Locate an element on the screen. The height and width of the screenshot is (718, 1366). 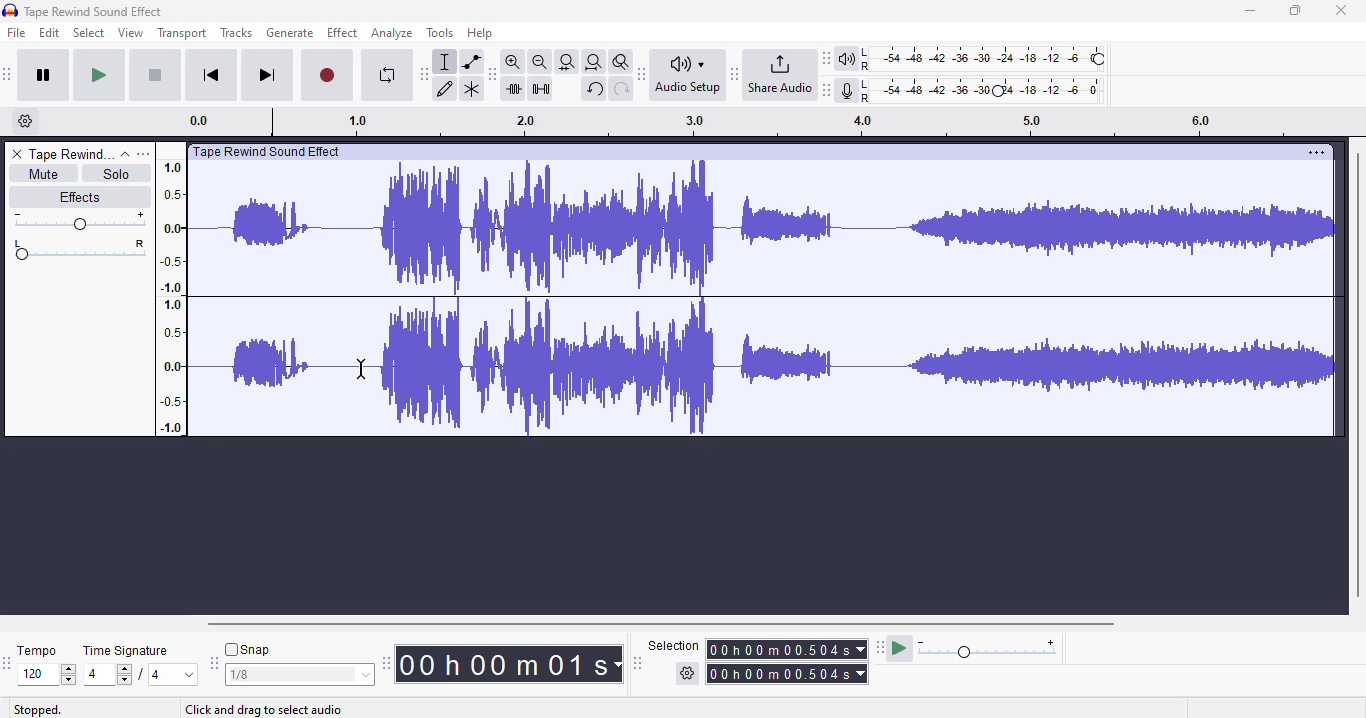
skip to start is located at coordinates (212, 76).